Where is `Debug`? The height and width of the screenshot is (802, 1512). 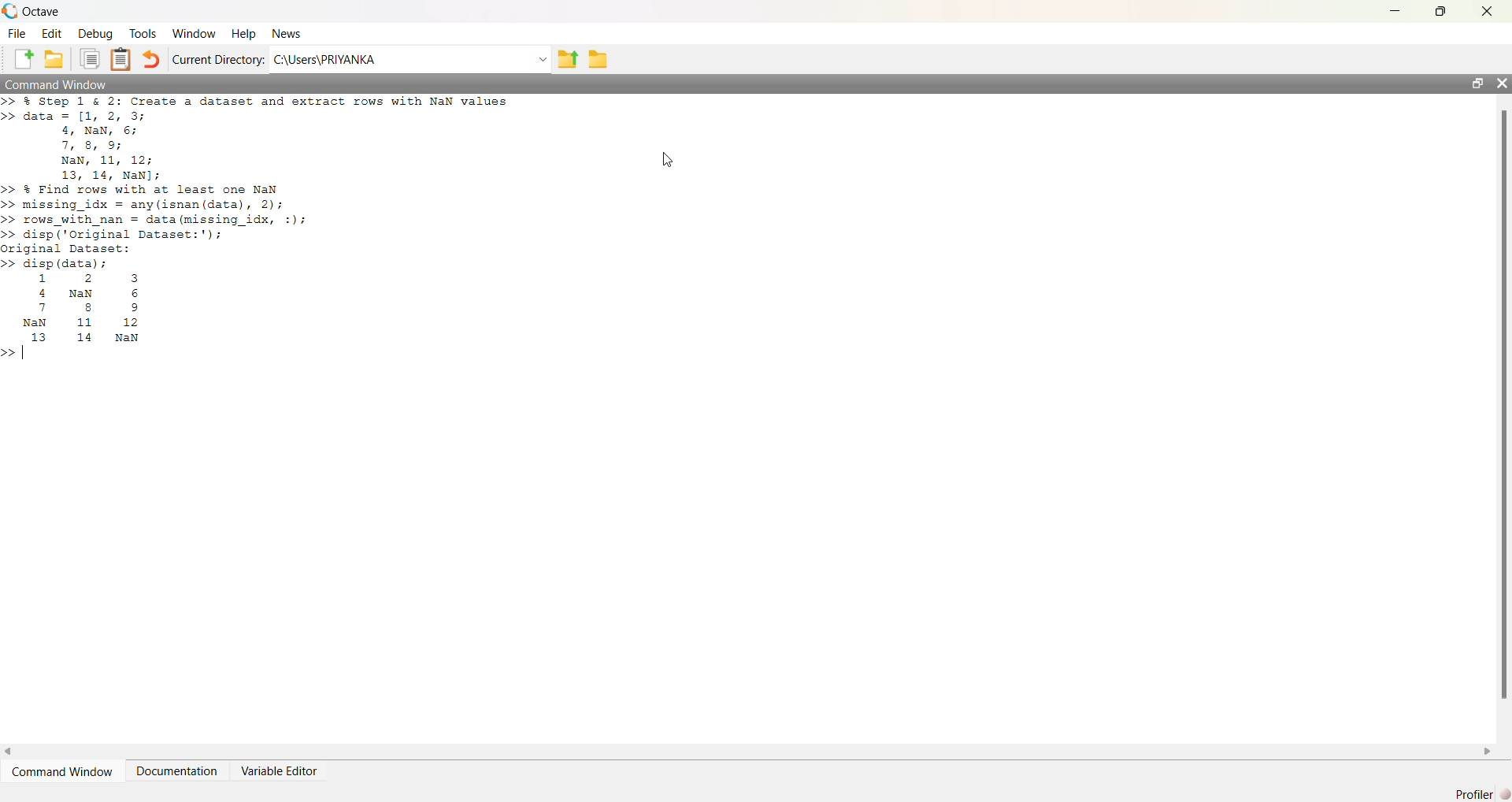 Debug is located at coordinates (95, 34).